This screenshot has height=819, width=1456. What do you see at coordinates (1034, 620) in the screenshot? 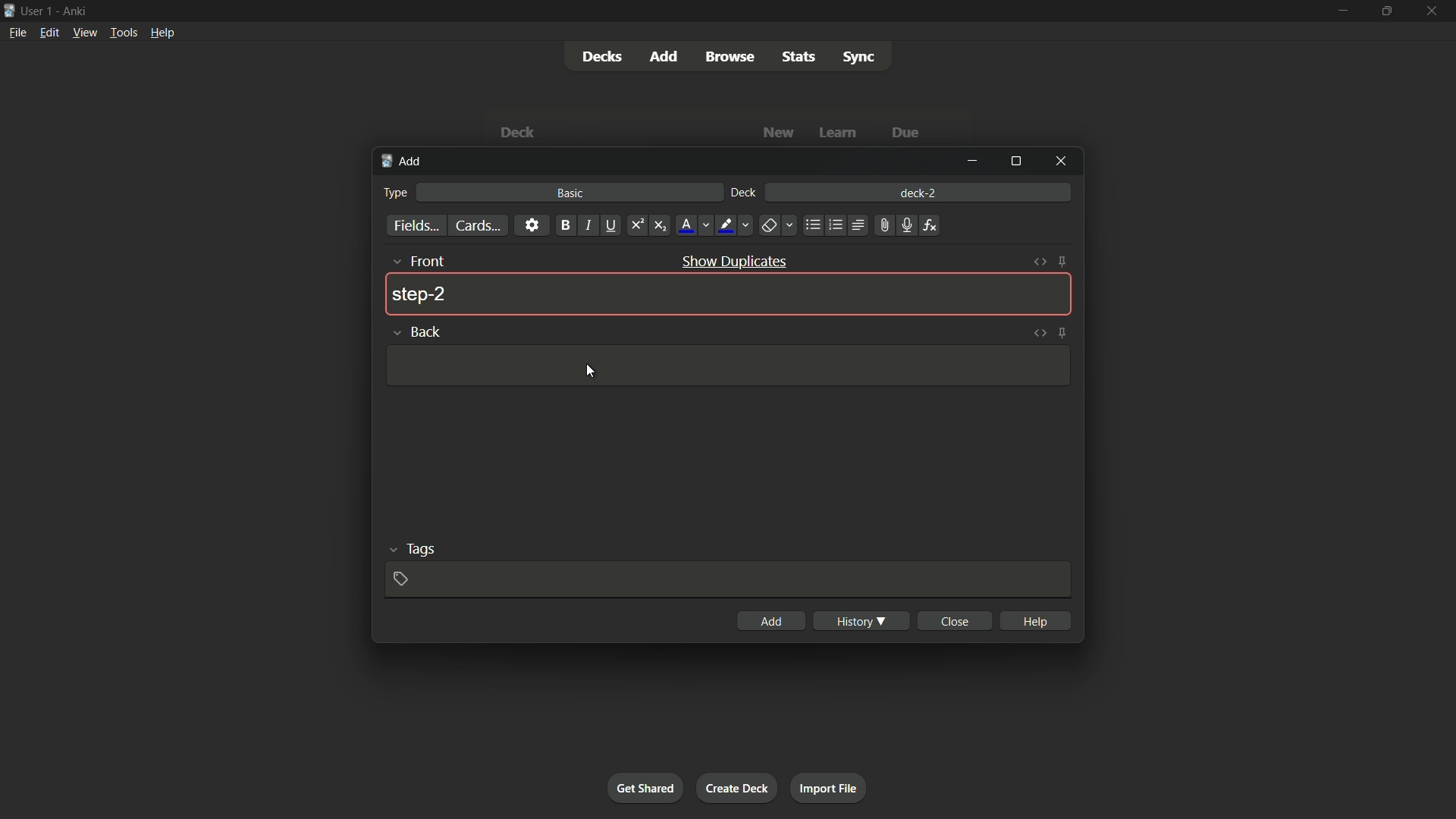
I see `help` at bounding box center [1034, 620].